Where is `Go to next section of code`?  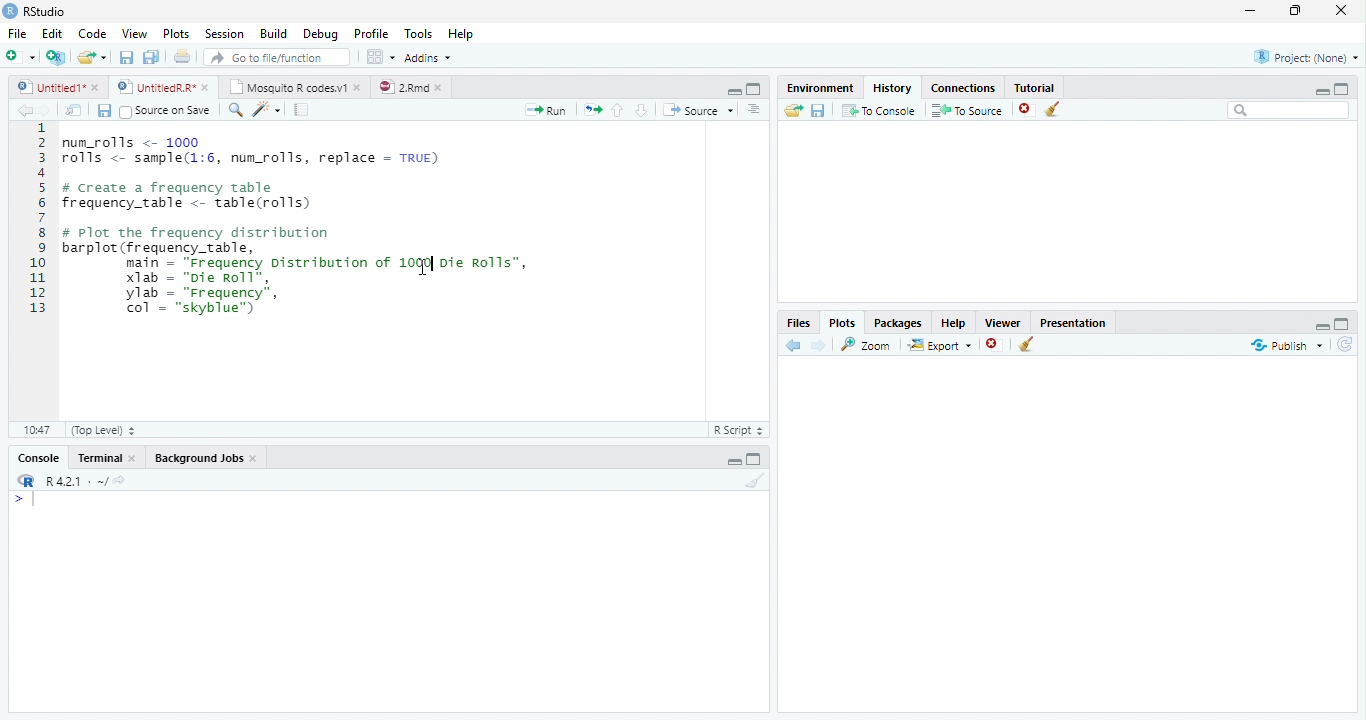
Go to next section of code is located at coordinates (642, 110).